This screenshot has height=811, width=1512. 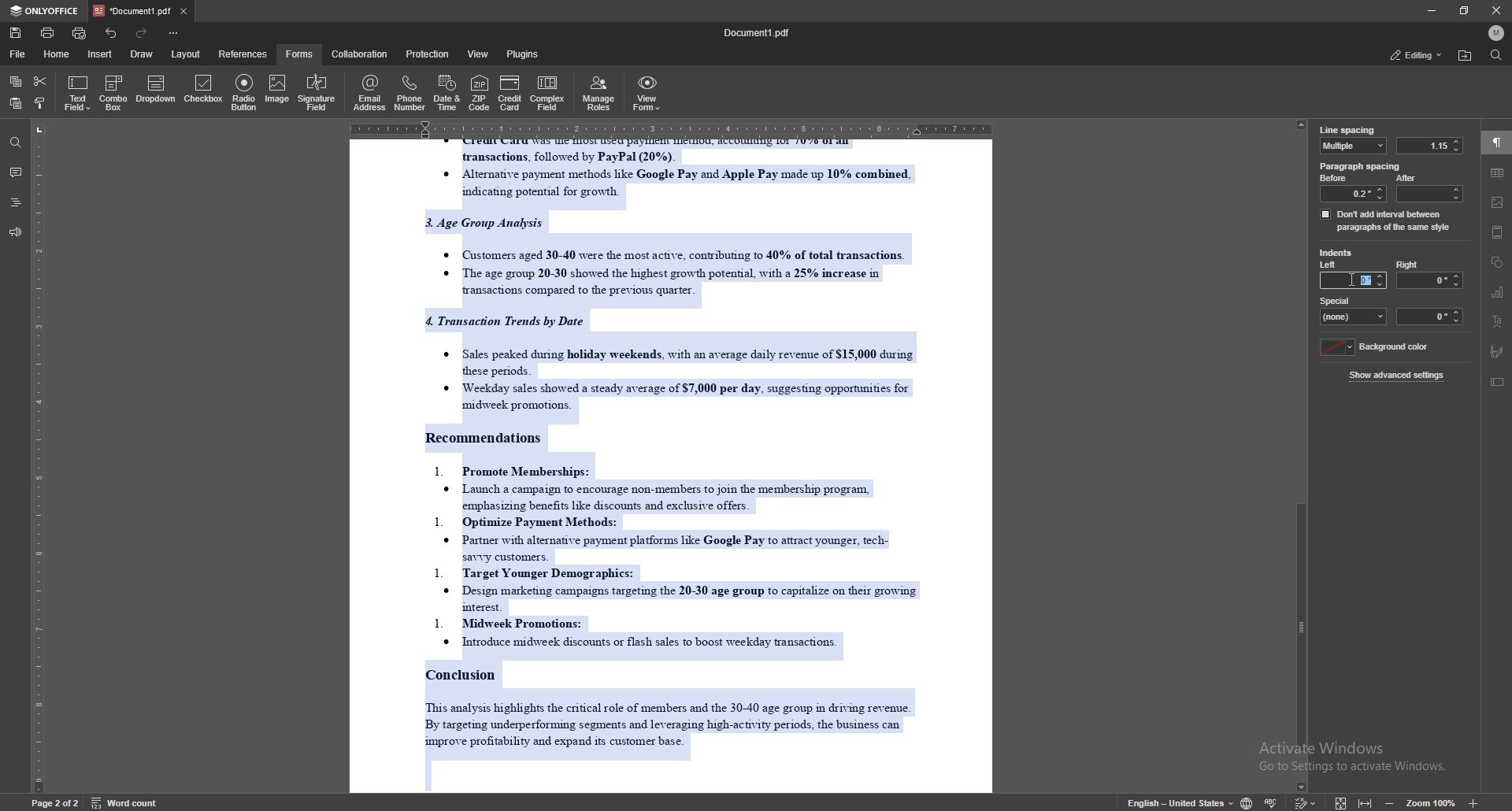 I want to click on page, so click(x=55, y=802).